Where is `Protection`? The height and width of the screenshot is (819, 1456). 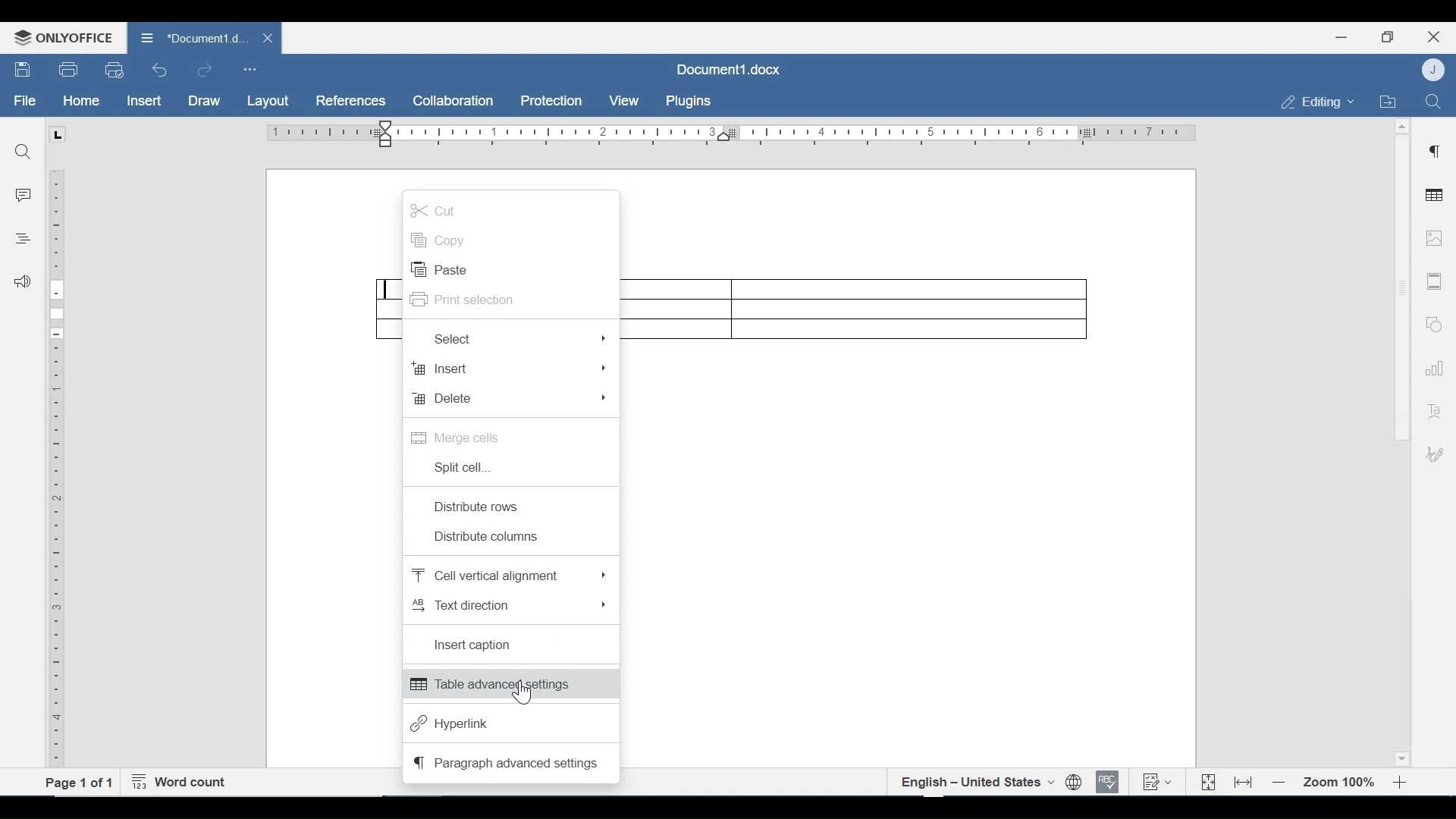
Protection is located at coordinates (551, 102).